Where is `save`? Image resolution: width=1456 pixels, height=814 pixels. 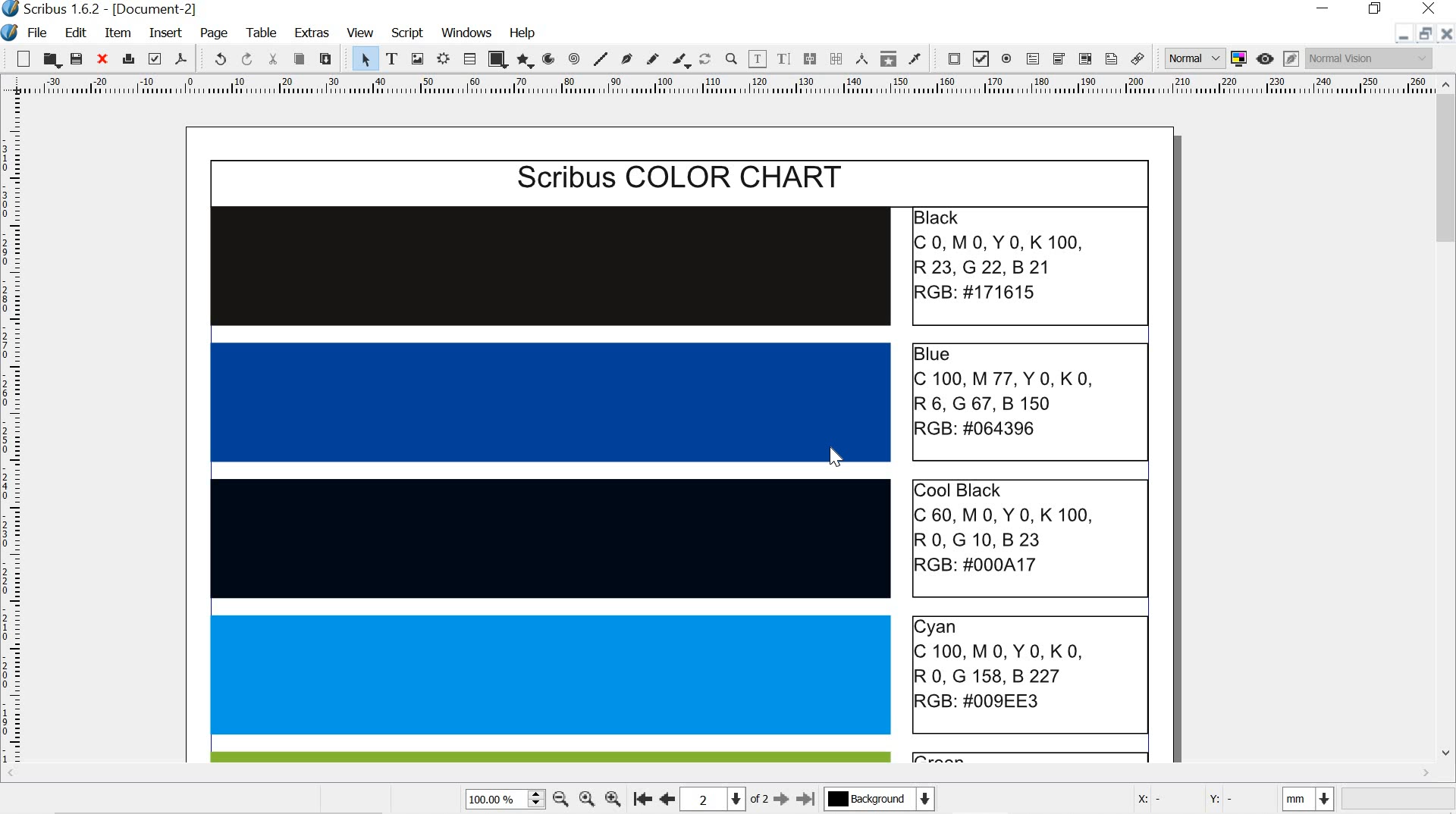 save is located at coordinates (79, 60).